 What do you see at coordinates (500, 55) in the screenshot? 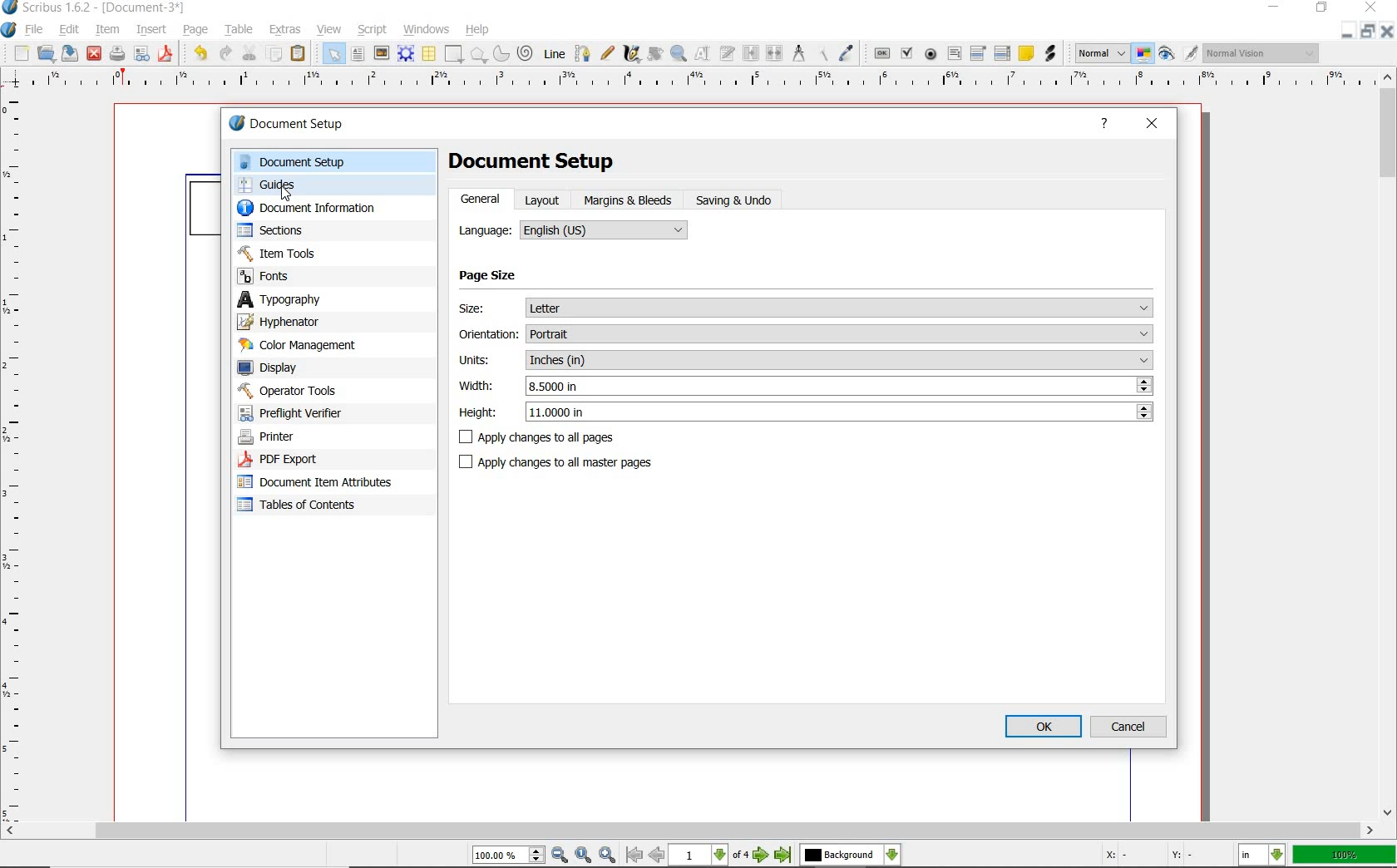
I see `arc` at bounding box center [500, 55].